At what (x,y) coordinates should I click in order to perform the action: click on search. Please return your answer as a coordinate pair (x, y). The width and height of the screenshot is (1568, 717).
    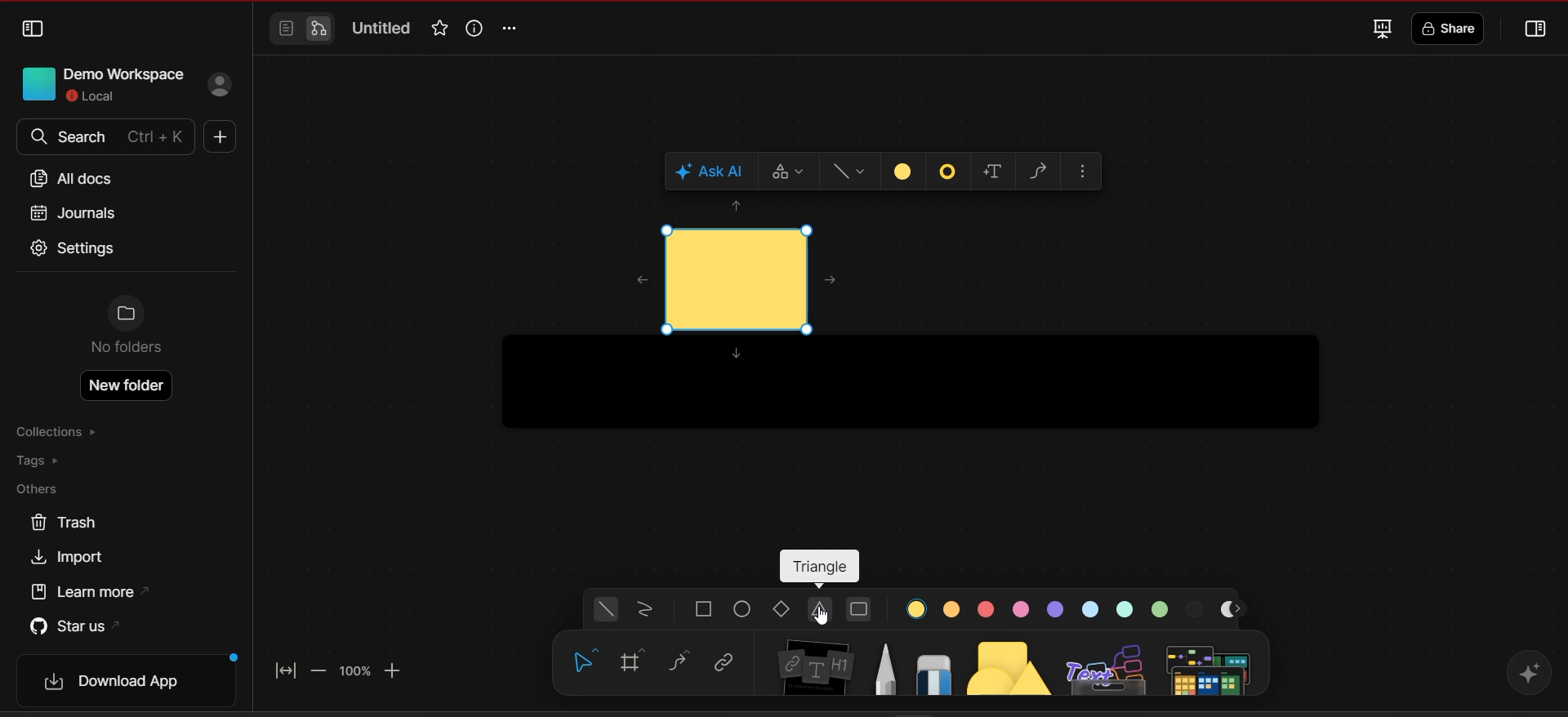
    Looking at the image, I should click on (103, 137).